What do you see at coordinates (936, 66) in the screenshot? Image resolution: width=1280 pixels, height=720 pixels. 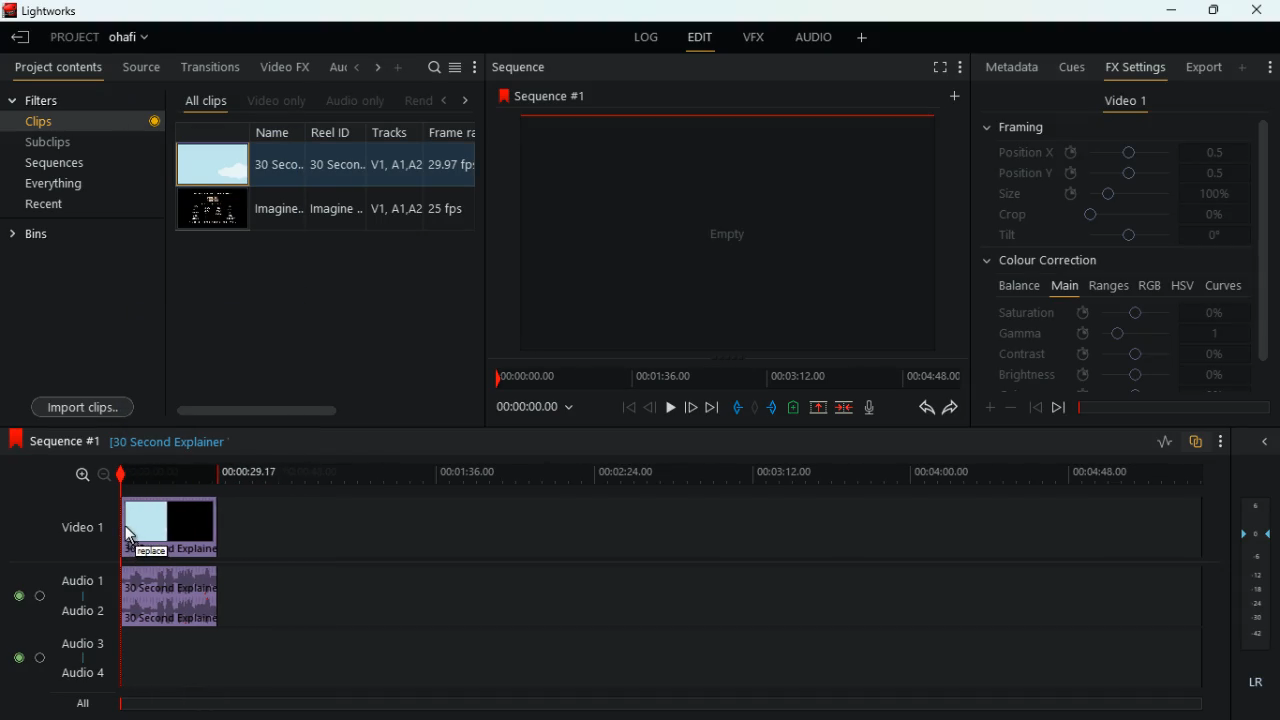 I see `full screen` at bounding box center [936, 66].